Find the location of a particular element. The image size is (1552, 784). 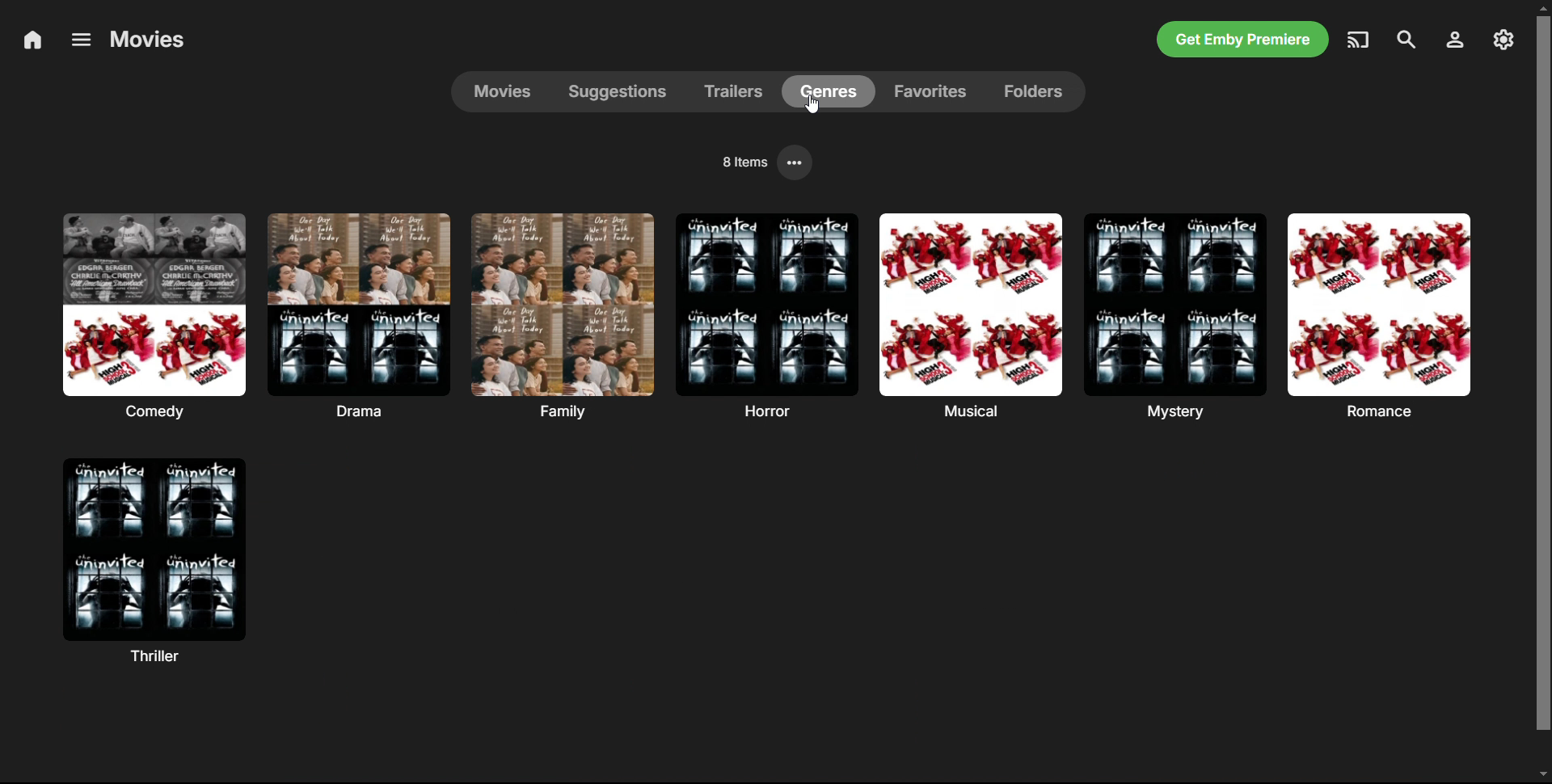

settings is located at coordinates (1503, 40).